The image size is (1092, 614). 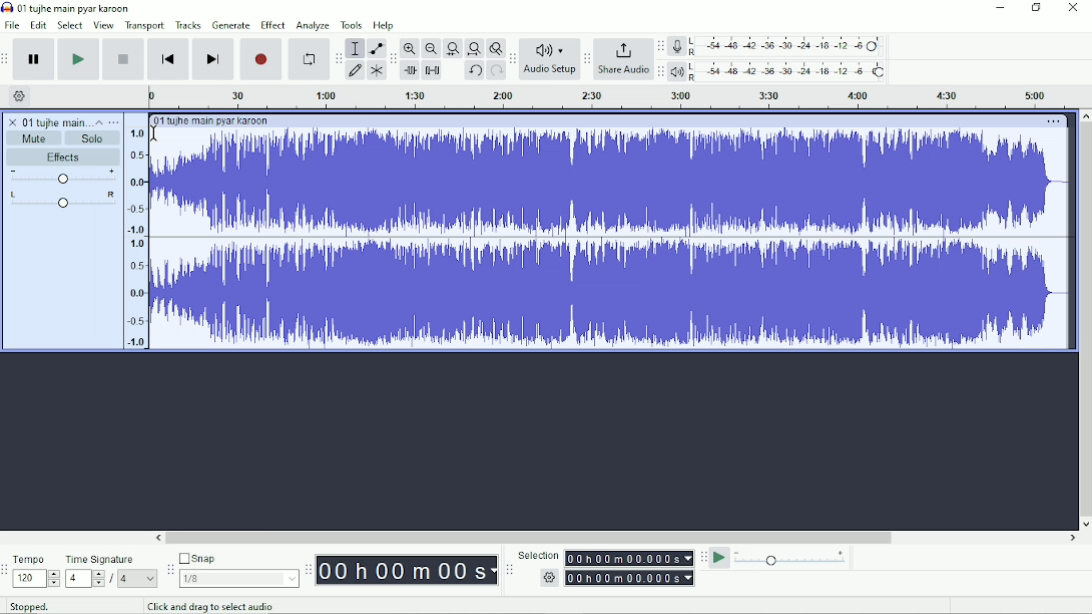 I want to click on Vertical scrollbar, so click(x=1085, y=319).